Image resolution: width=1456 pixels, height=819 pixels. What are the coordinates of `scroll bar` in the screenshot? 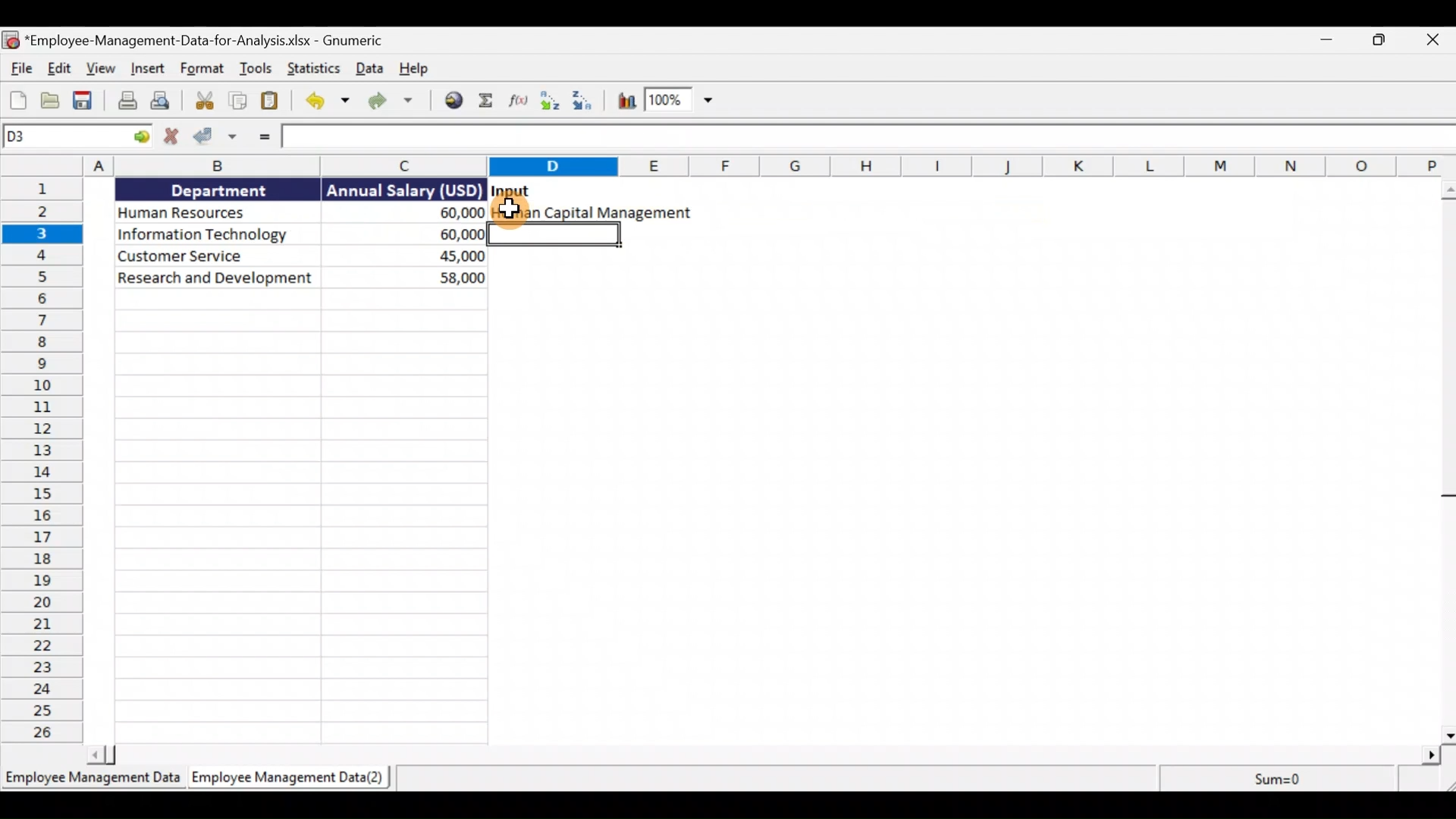 It's located at (1445, 461).